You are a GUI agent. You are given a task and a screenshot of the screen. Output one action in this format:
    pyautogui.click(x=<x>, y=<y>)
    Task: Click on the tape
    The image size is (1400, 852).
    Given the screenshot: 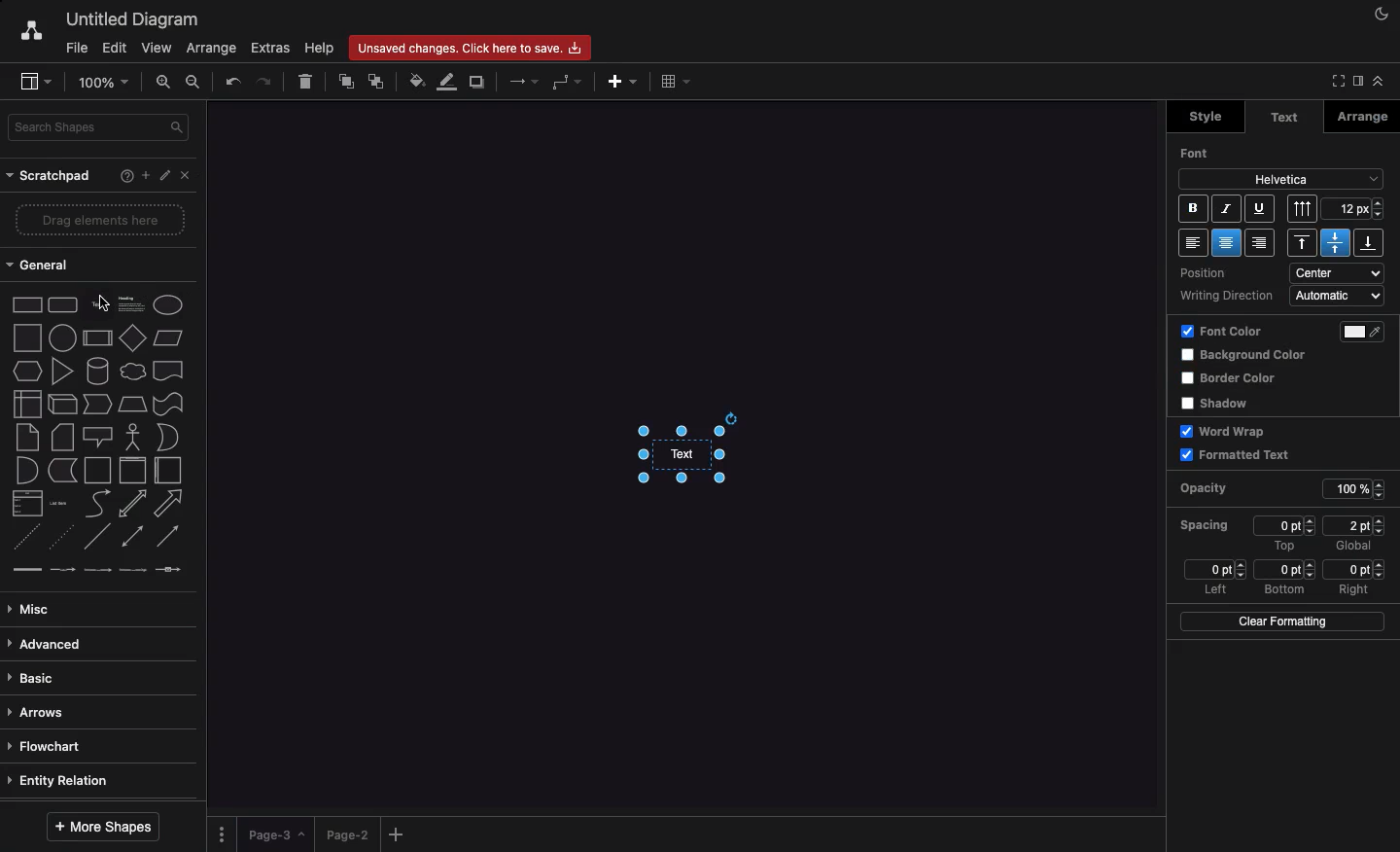 What is the action you would take?
    pyautogui.click(x=168, y=404)
    